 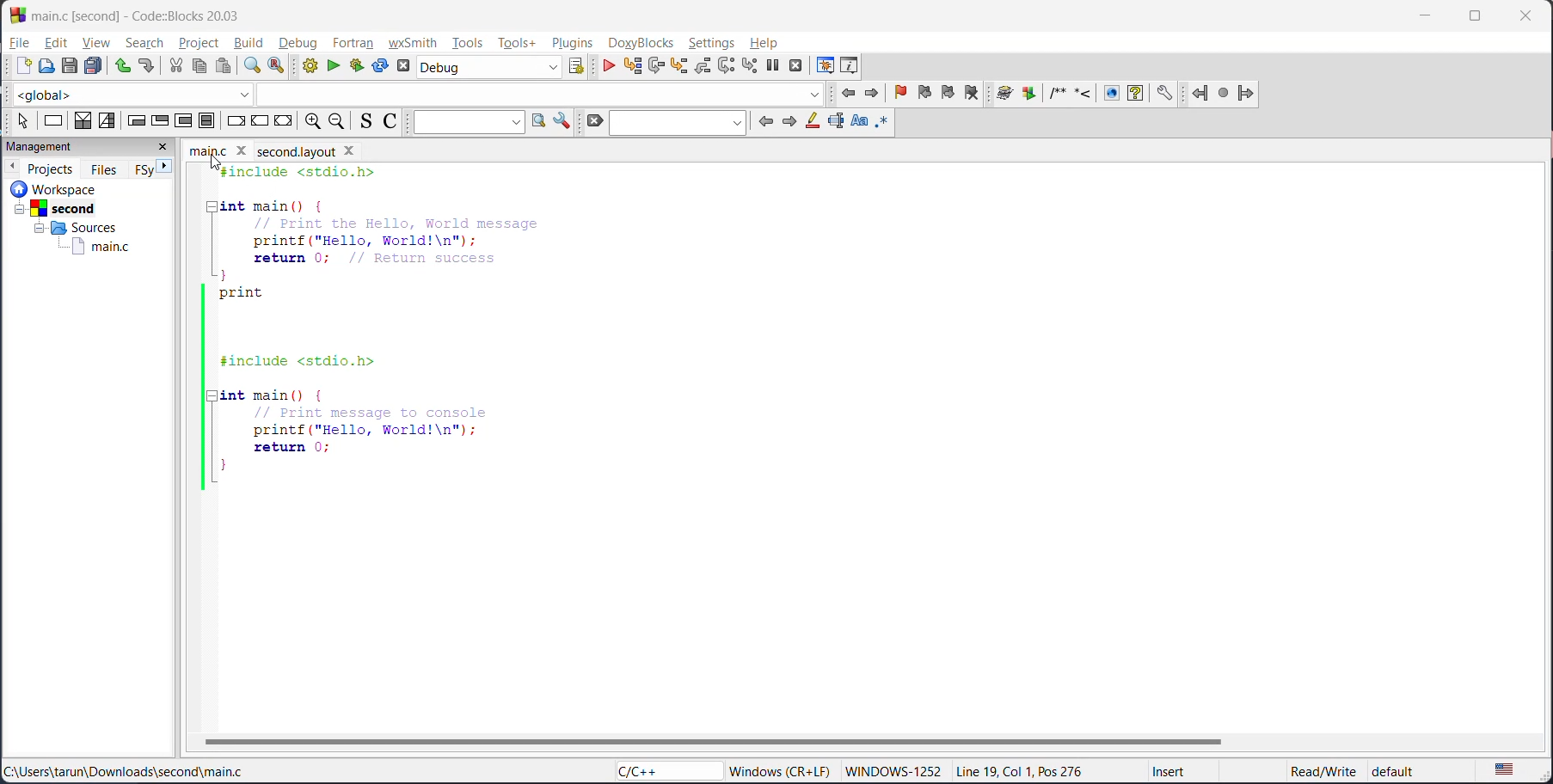 What do you see at coordinates (353, 43) in the screenshot?
I see `fortran` at bounding box center [353, 43].